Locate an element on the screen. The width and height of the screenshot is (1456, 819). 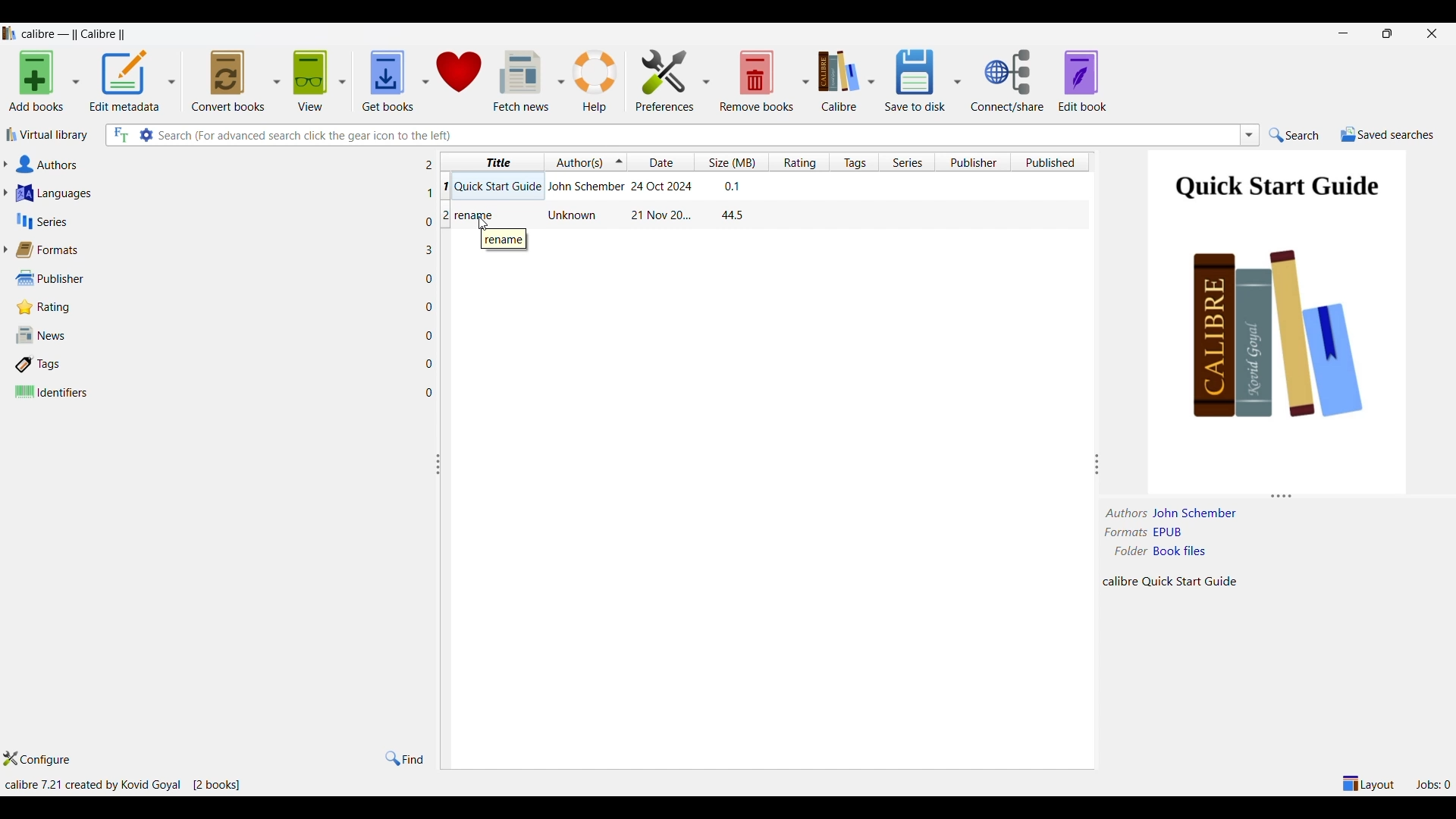
Number of files w.r.t. each column is located at coordinates (429, 282).